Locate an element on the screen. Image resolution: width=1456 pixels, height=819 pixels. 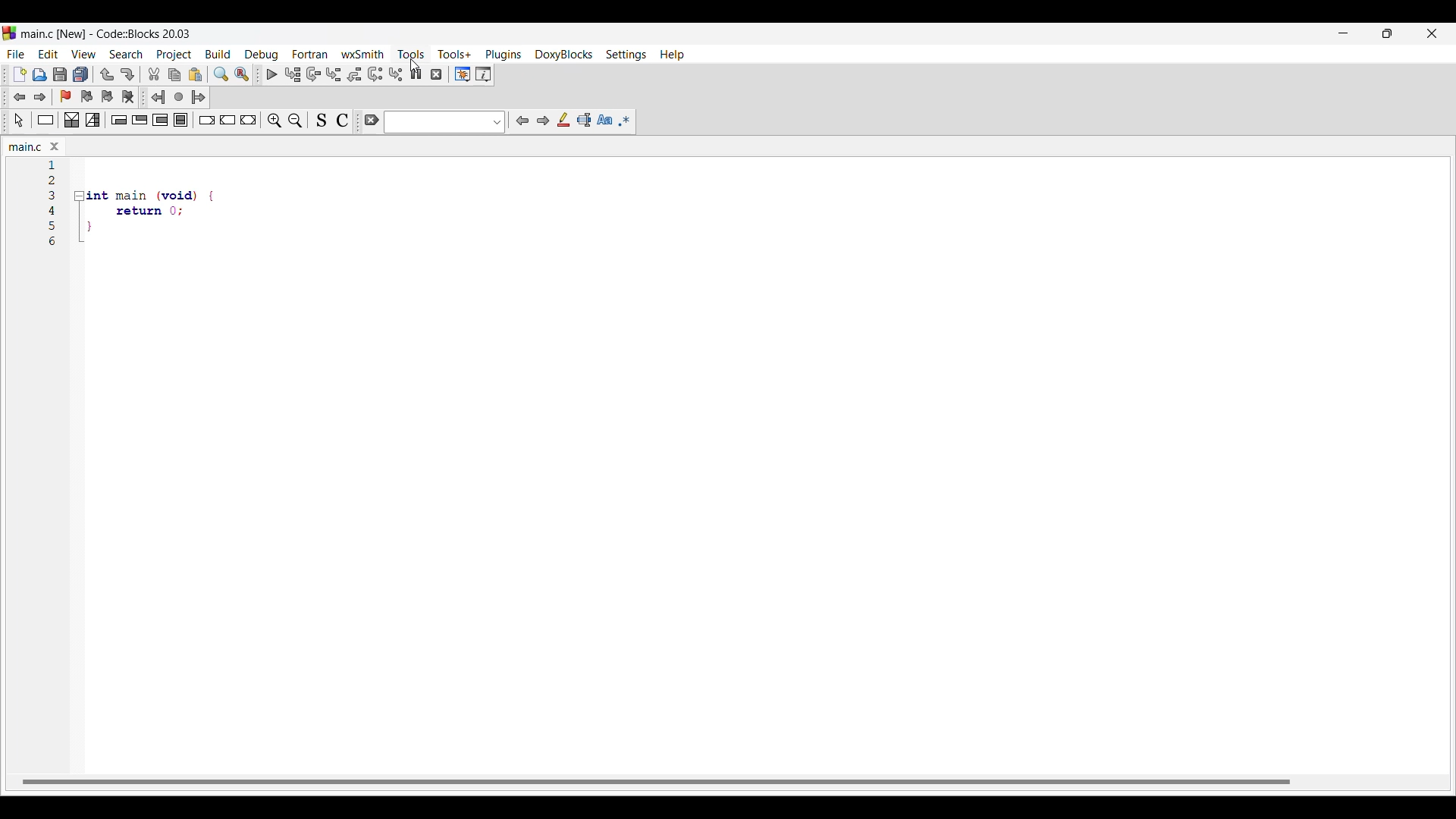
Save is located at coordinates (60, 74).